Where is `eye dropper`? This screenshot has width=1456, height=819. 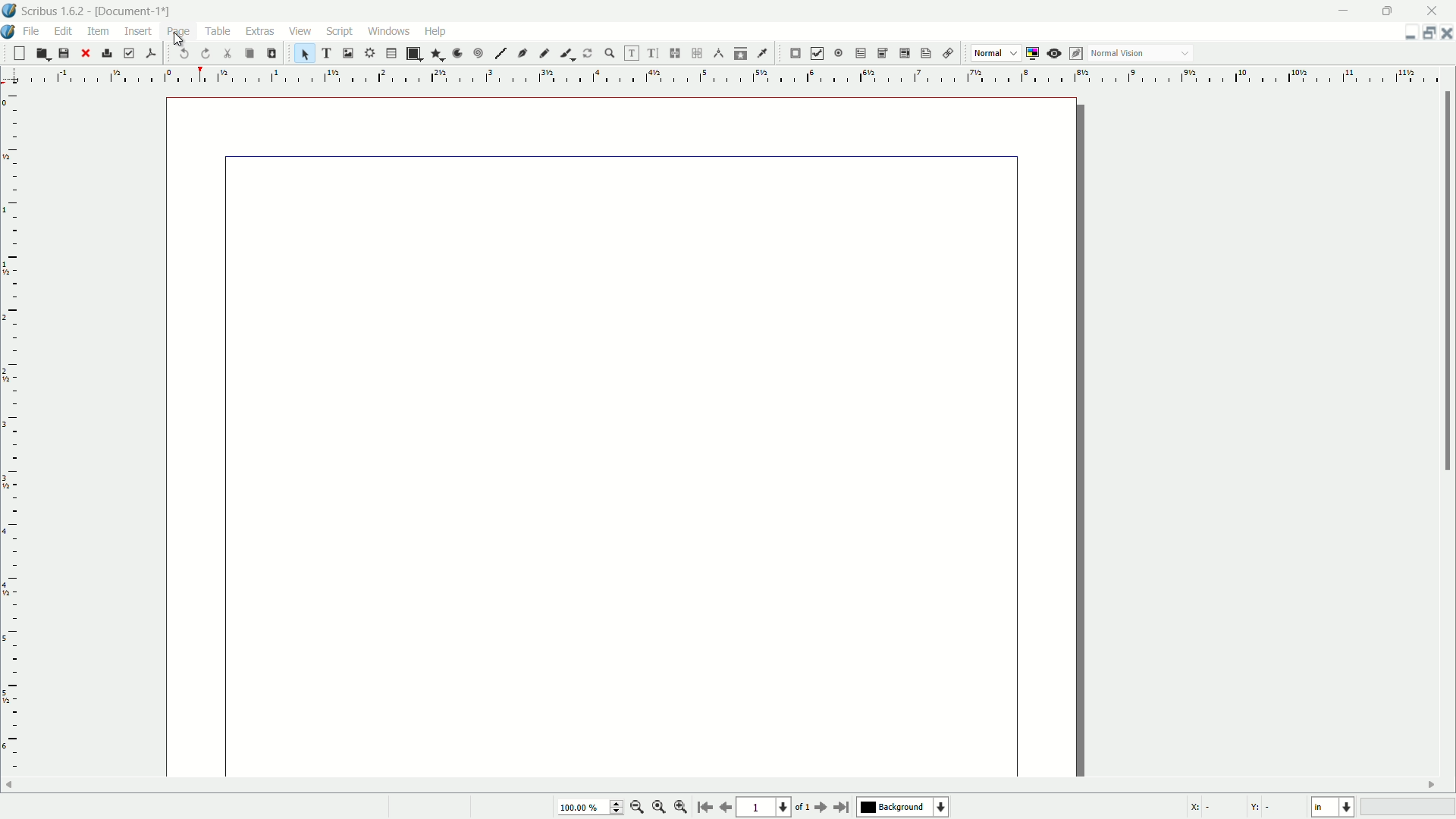 eye dropper is located at coordinates (764, 53).